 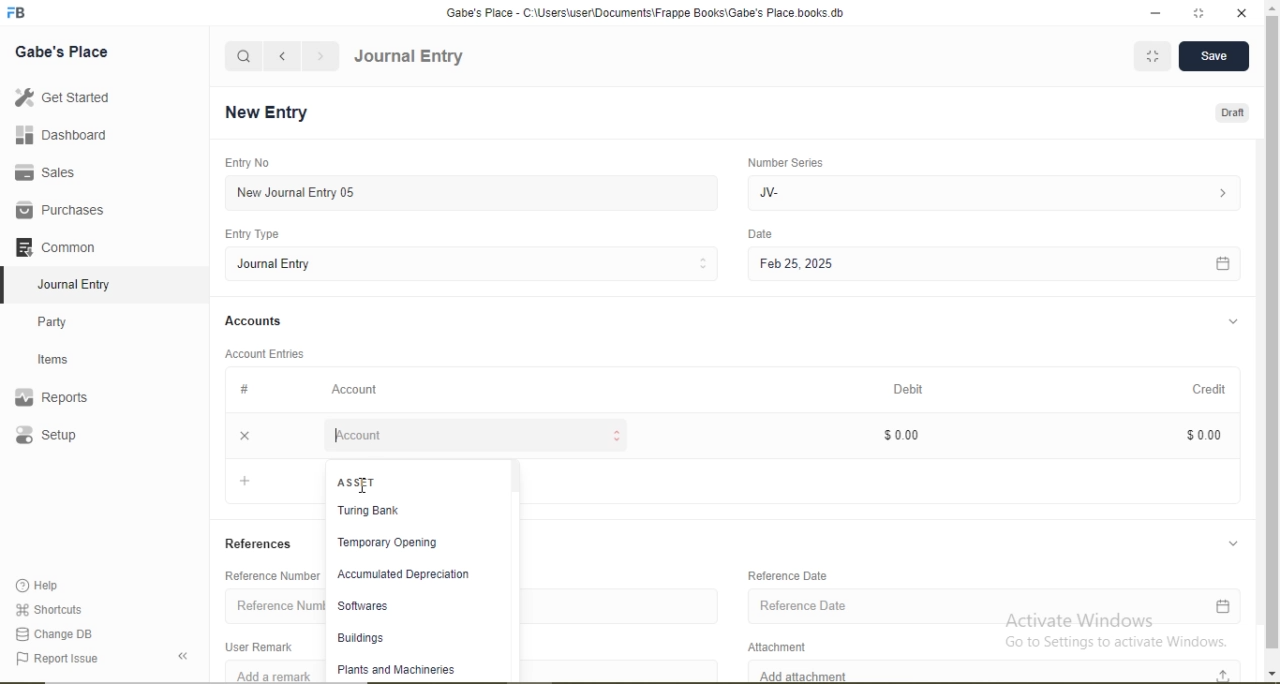 What do you see at coordinates (1202, 434) in the screenshot?
I see `$0.00` at bounding box center [1202, 434].